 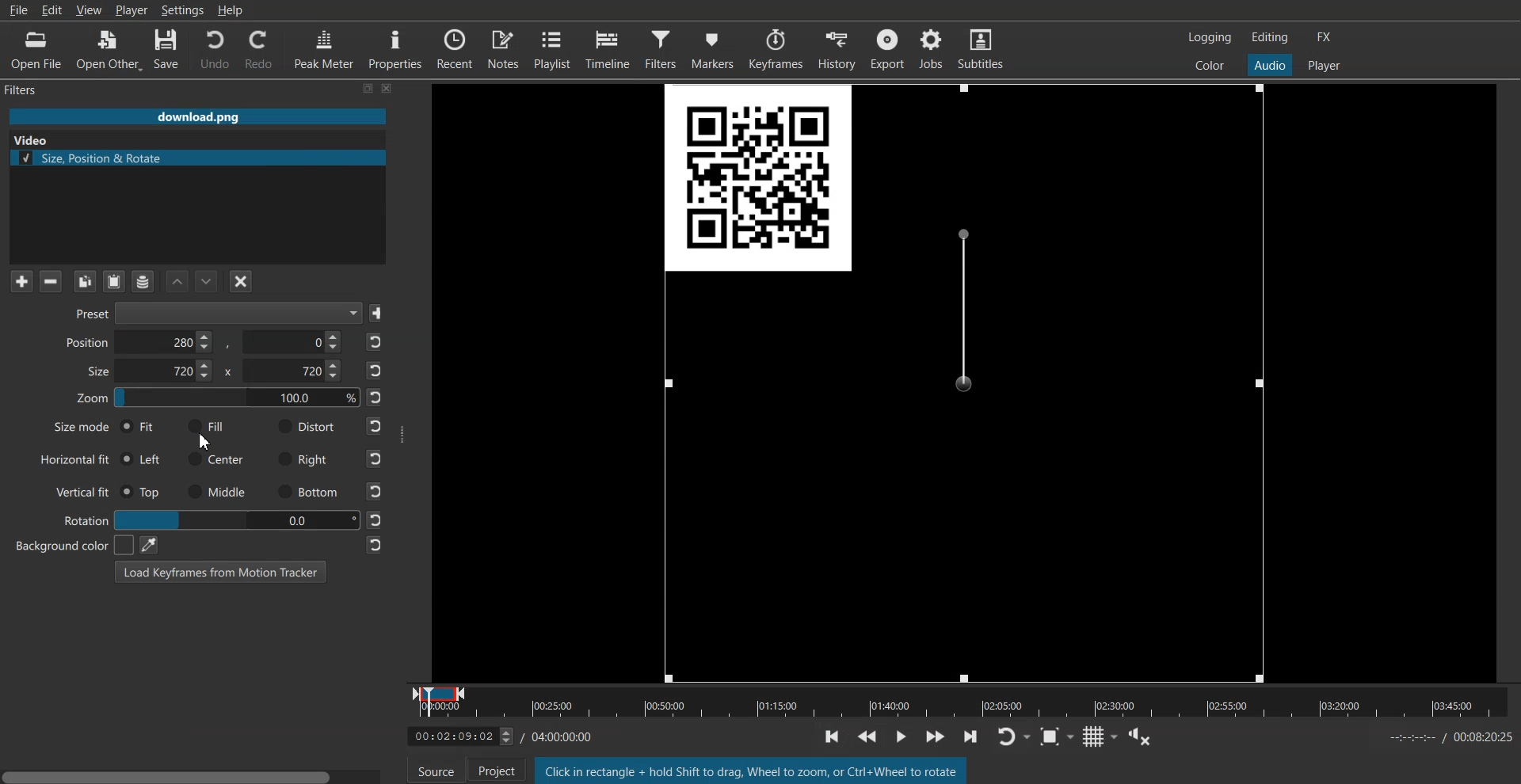 What do you see at coordinates (197, 116) in the screenshot?
I see `File Name` at bounding box center [197, 116].